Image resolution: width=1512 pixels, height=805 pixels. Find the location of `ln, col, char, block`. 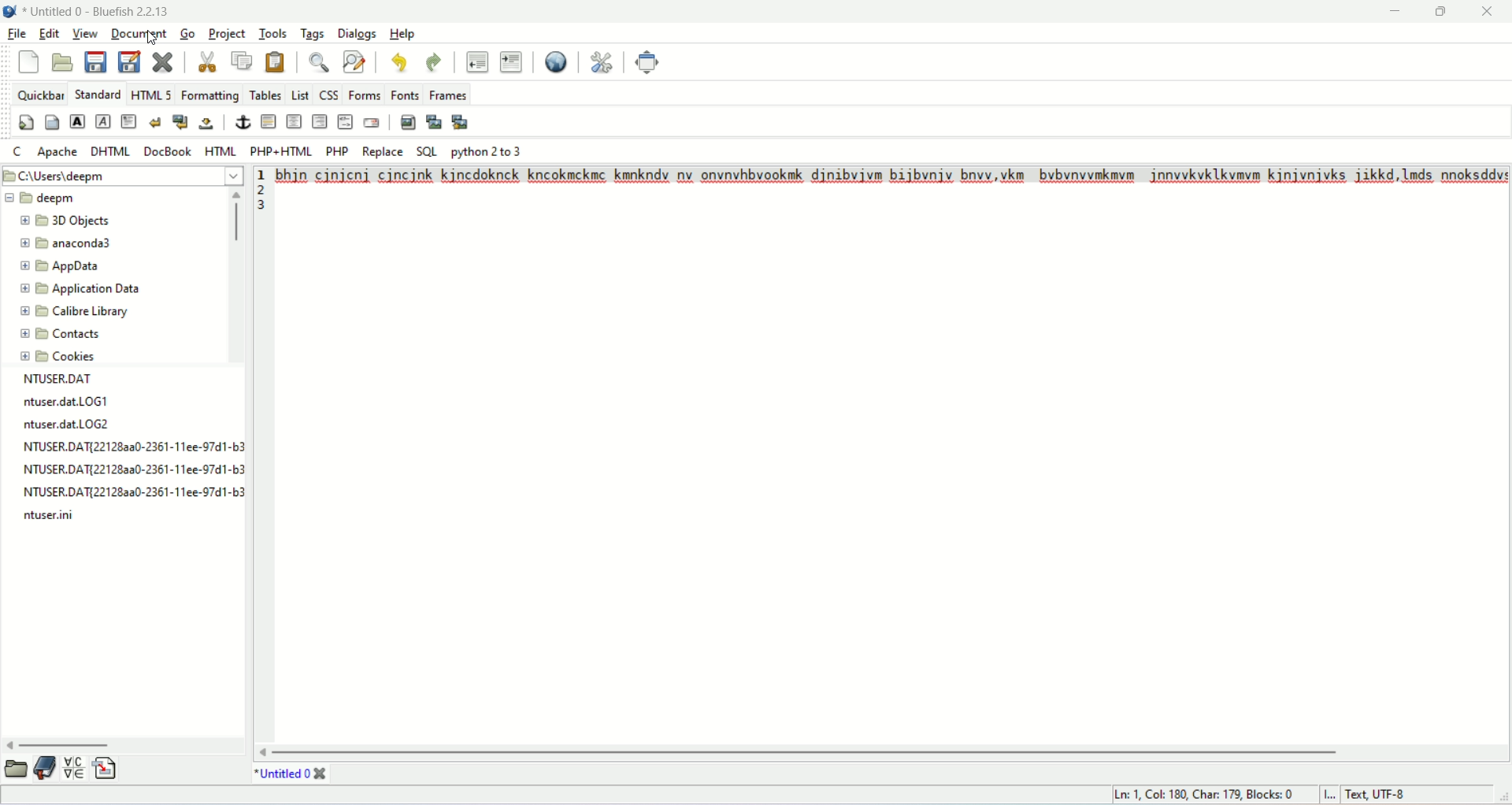

ln, col, char, block is located at coordinates (1203, 794).